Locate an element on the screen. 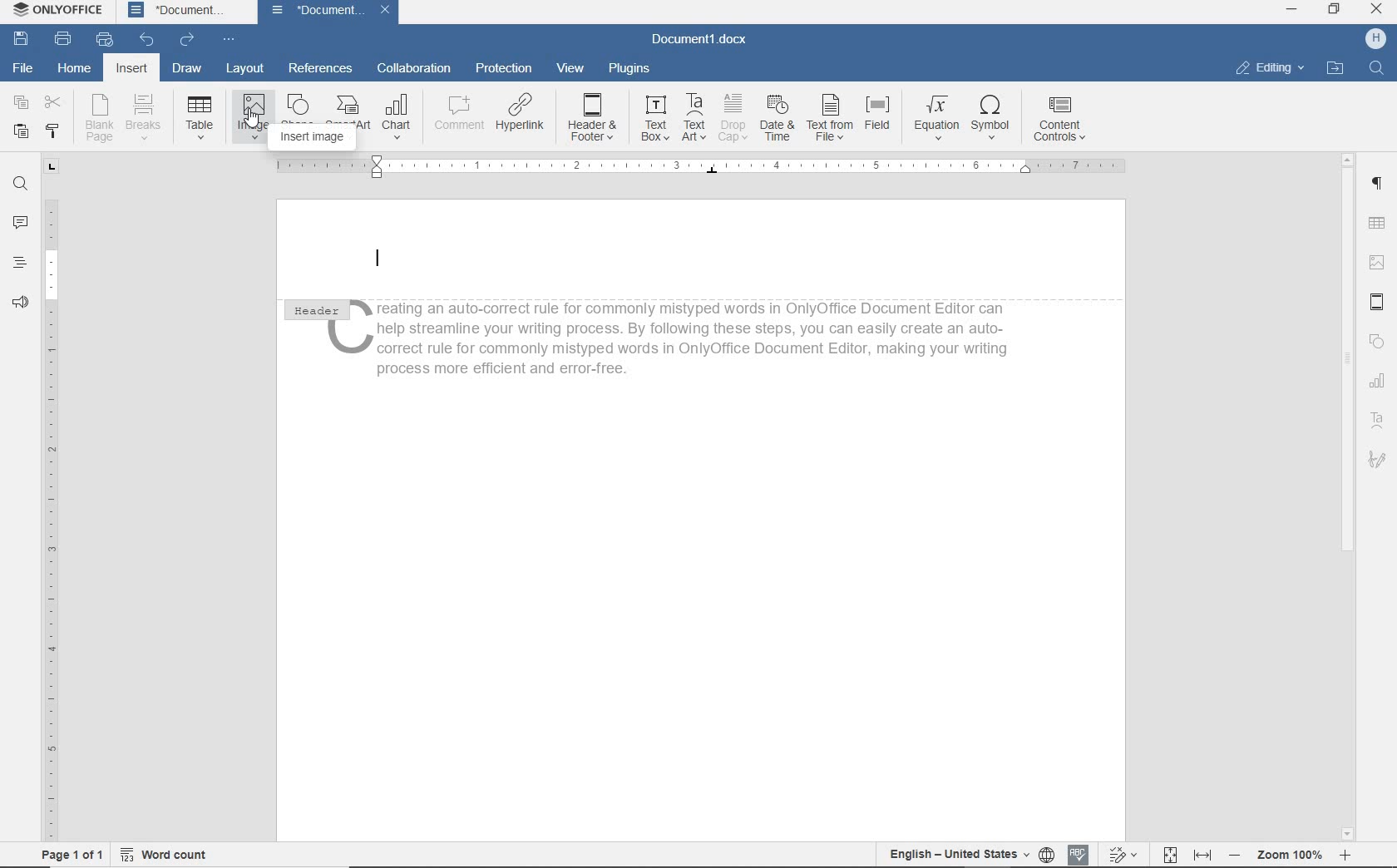  Track changes is located at coordinates (1122, 854).